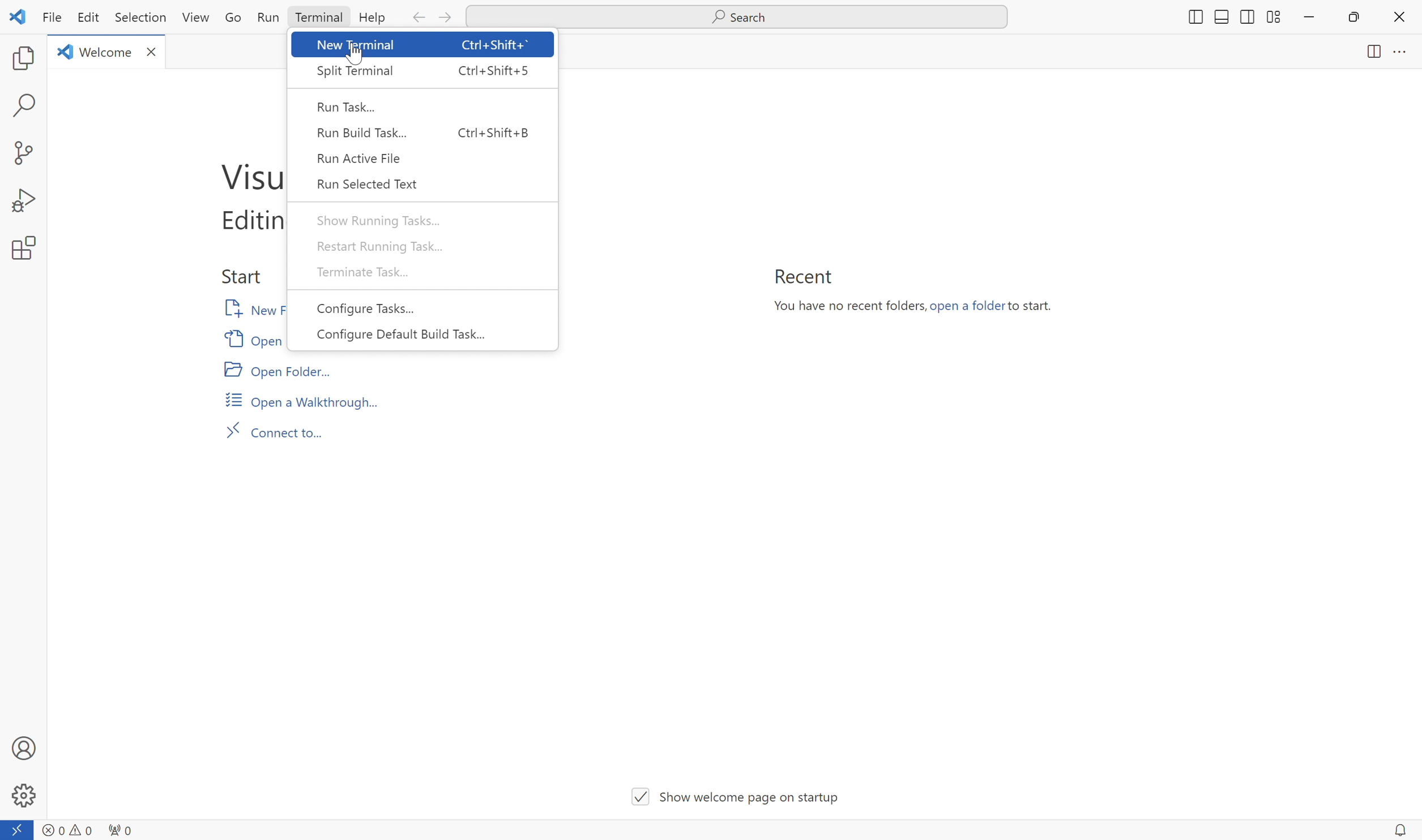  What do you see at coordinates (919, 308) in the screenshot?
I see `You have no recent folders, open a folder to start.` at bounding box center [919, 308].